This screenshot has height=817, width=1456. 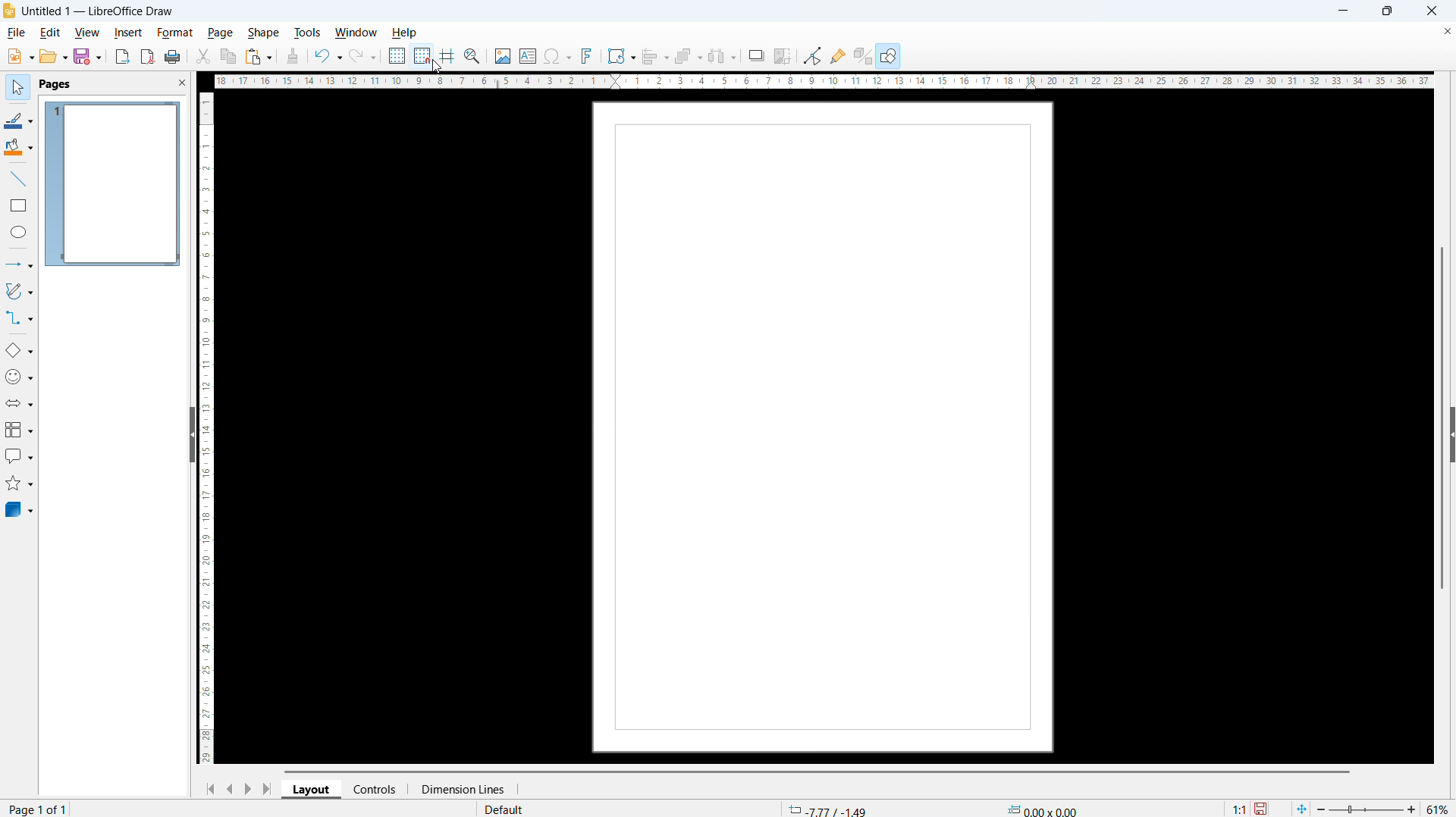 I want to click on controls, so click(x=375, y=790).